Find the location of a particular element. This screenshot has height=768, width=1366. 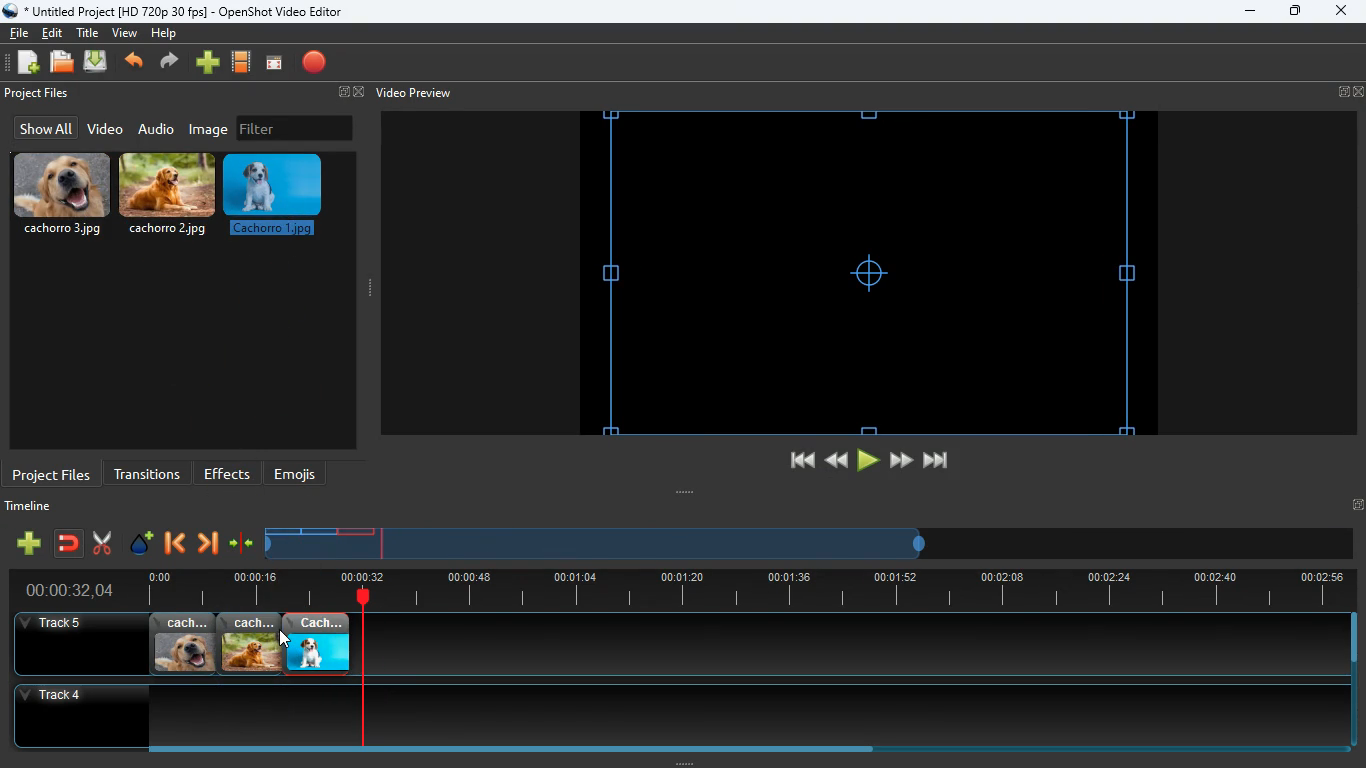

cachorro.3.jpg is located at coordinates (183, 644).